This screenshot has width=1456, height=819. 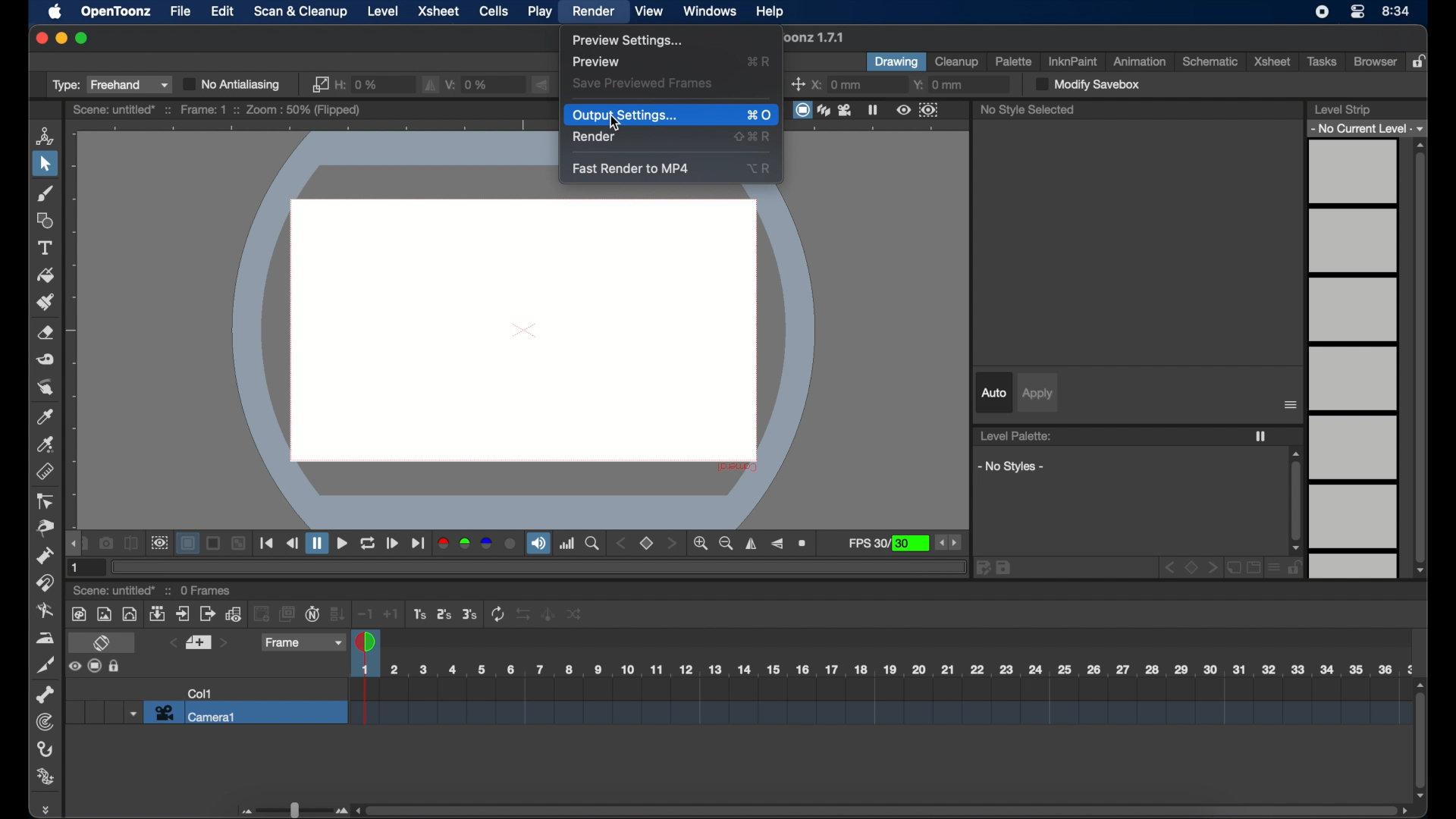 I want to click on drag handle, so click(x=49, y=809).